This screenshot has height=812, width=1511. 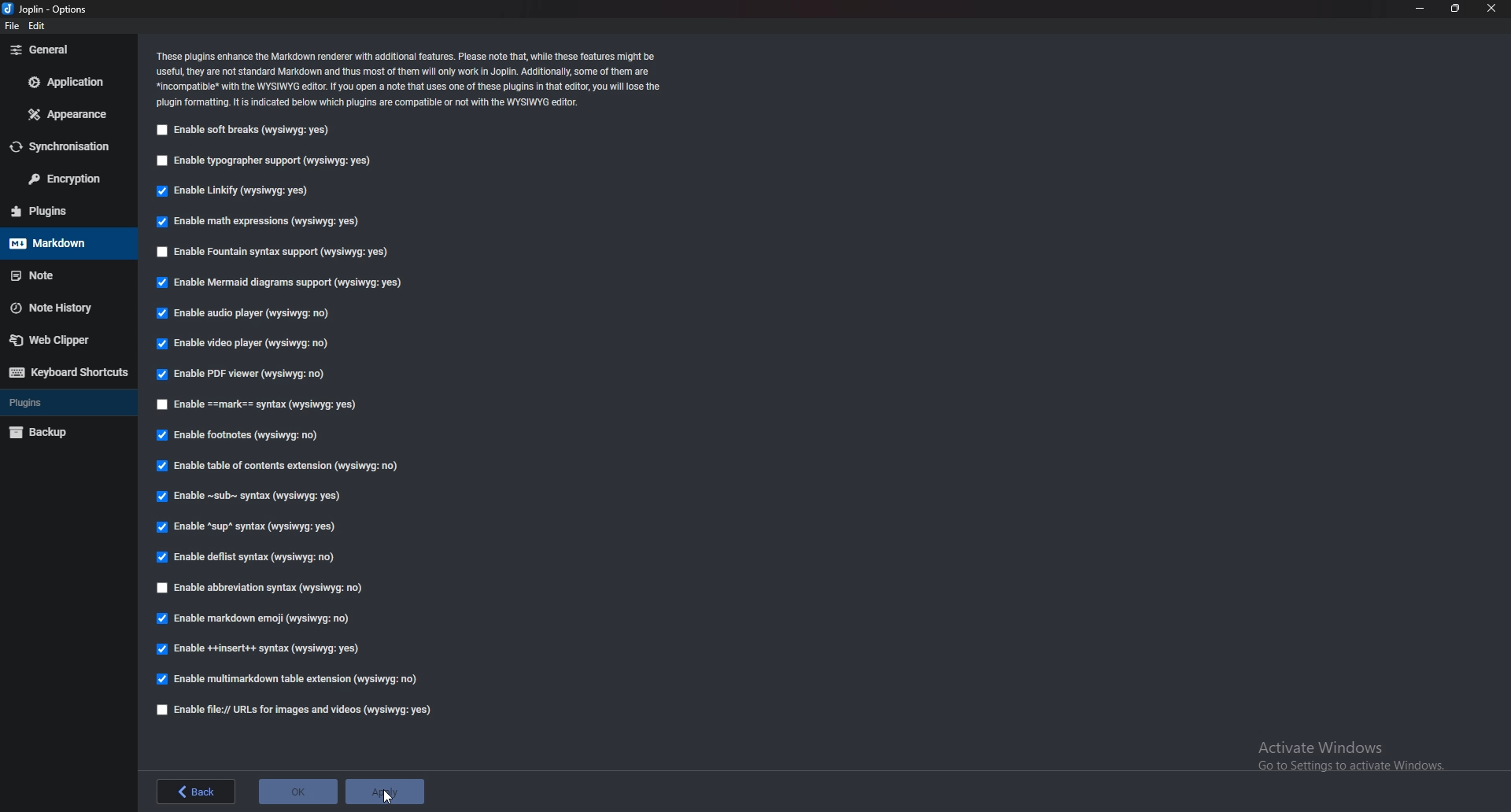 What do you see at coordinates (249, 559) in the screenshot?
I see `enable deflist syntax` at bounding box center [249, 559].